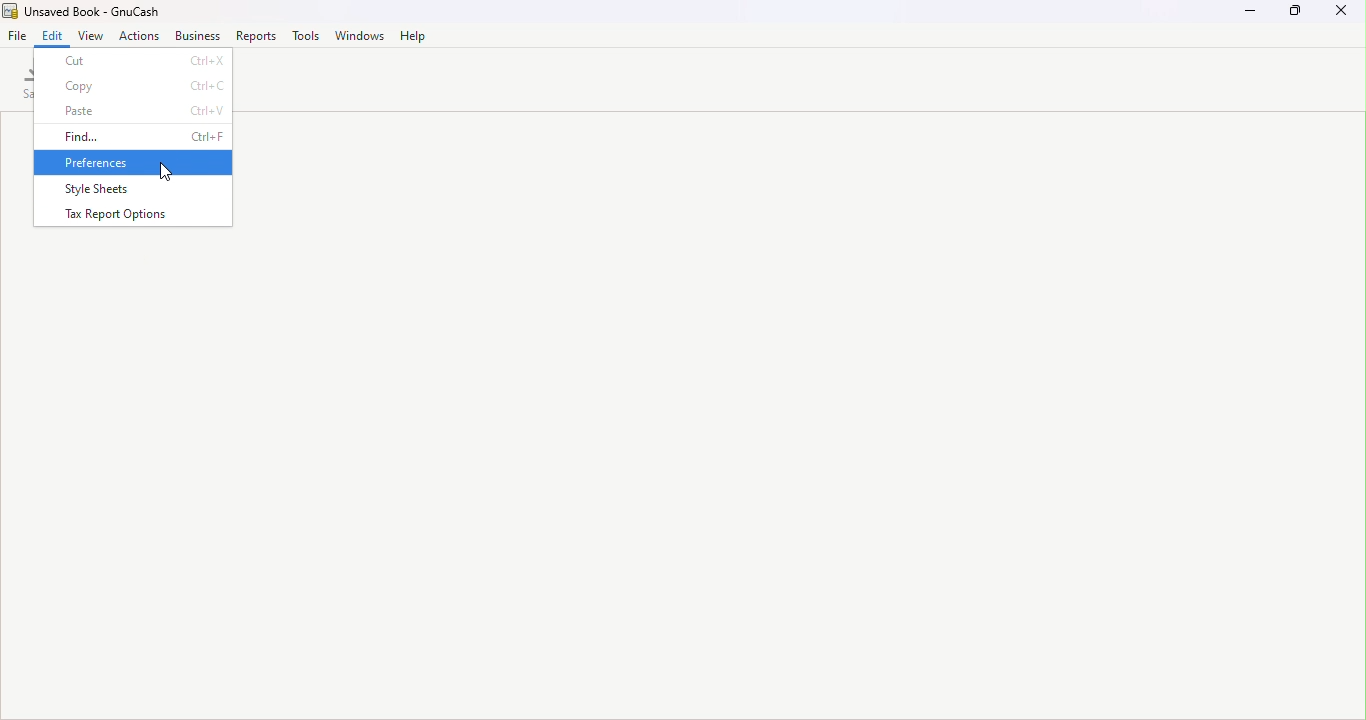 The height and width of the screenshot is (720, 1366). What do you see at coordinates (134, 110) in the screenshot?
I see `Paste` at bounding box center [134, 110].